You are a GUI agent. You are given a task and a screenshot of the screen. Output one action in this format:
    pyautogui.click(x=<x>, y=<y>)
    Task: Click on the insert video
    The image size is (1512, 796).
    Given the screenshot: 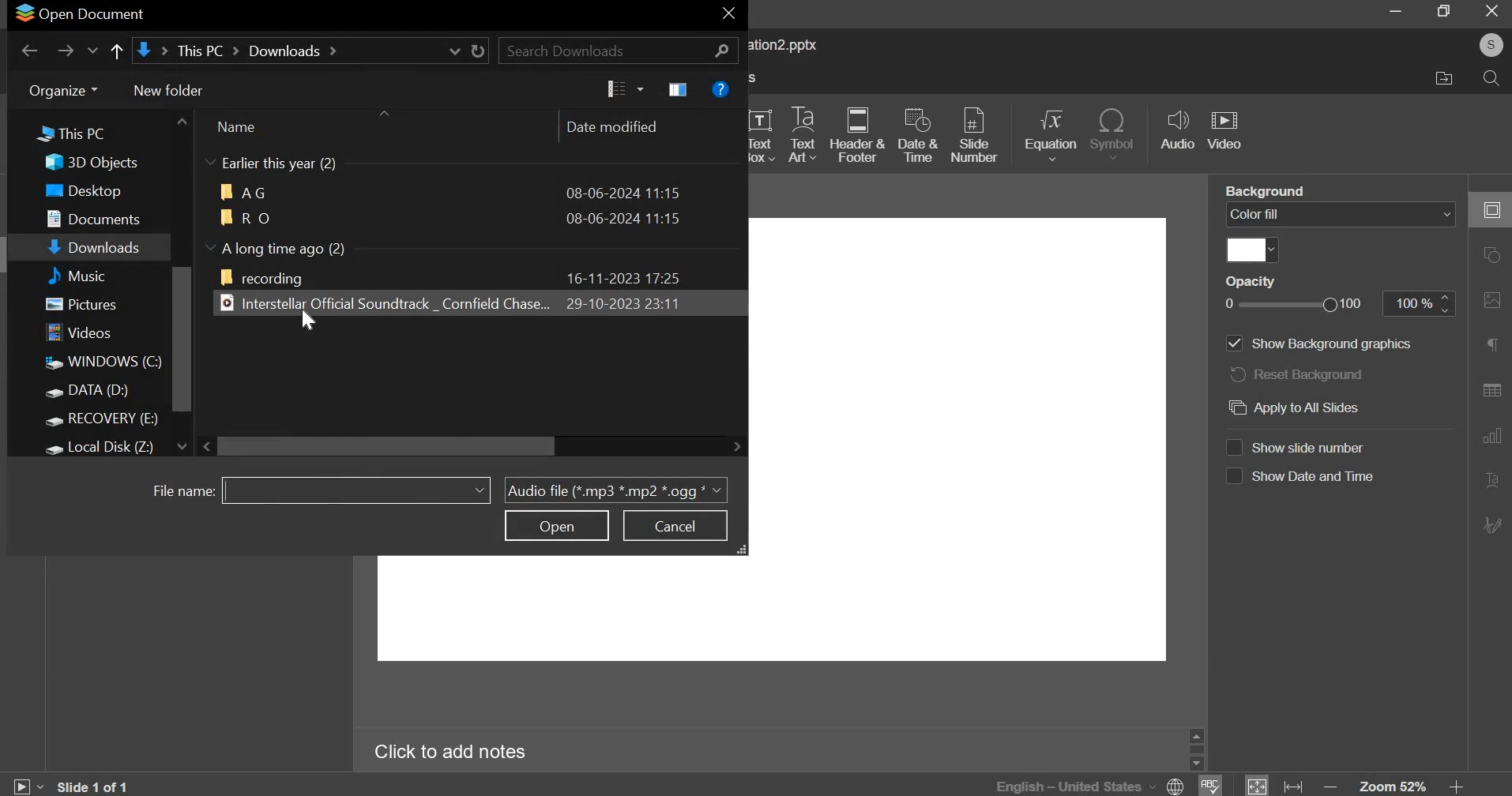 What is the action you would take?
    pyautogui.click(x=1228, y=133)
    